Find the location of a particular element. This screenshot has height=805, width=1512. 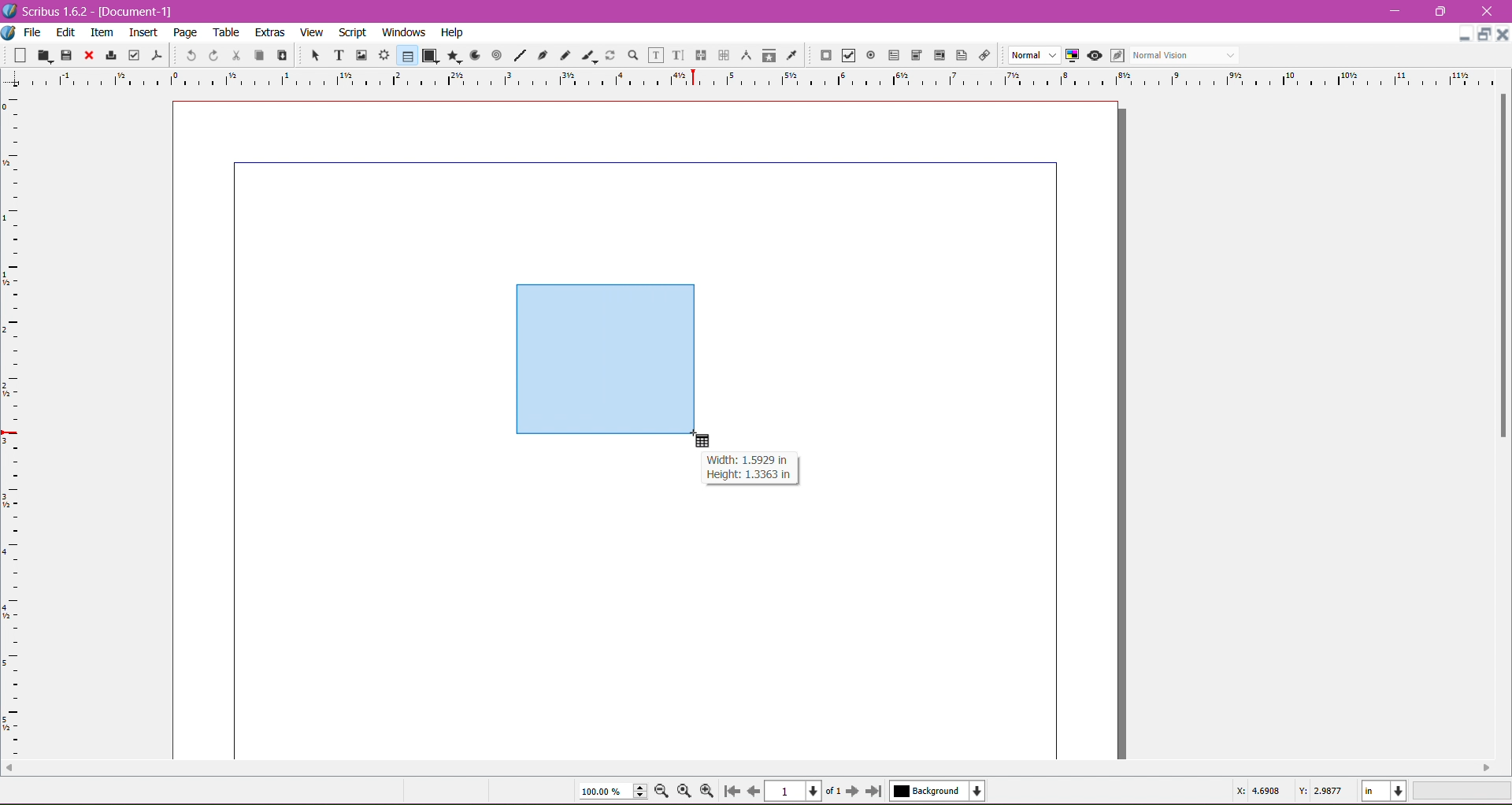

Next Page is located at coordinates (854, 790).